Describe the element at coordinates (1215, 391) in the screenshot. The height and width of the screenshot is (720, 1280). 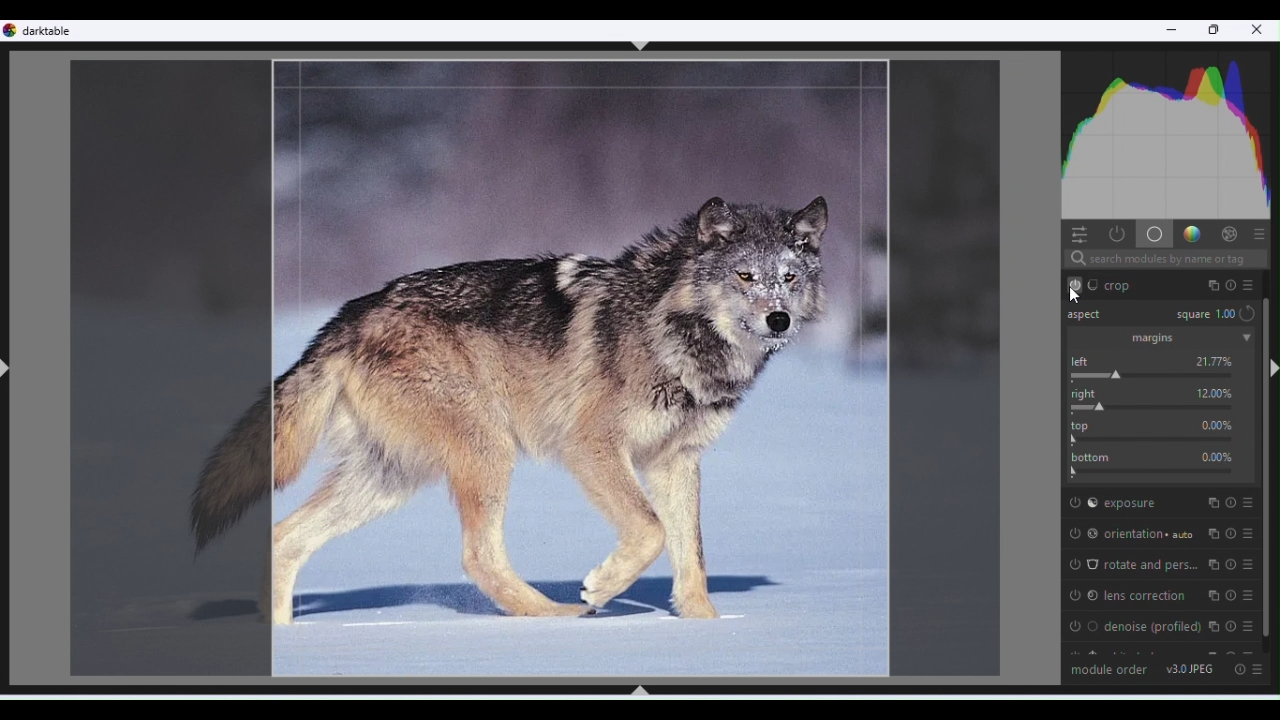
I see `value` at that location.